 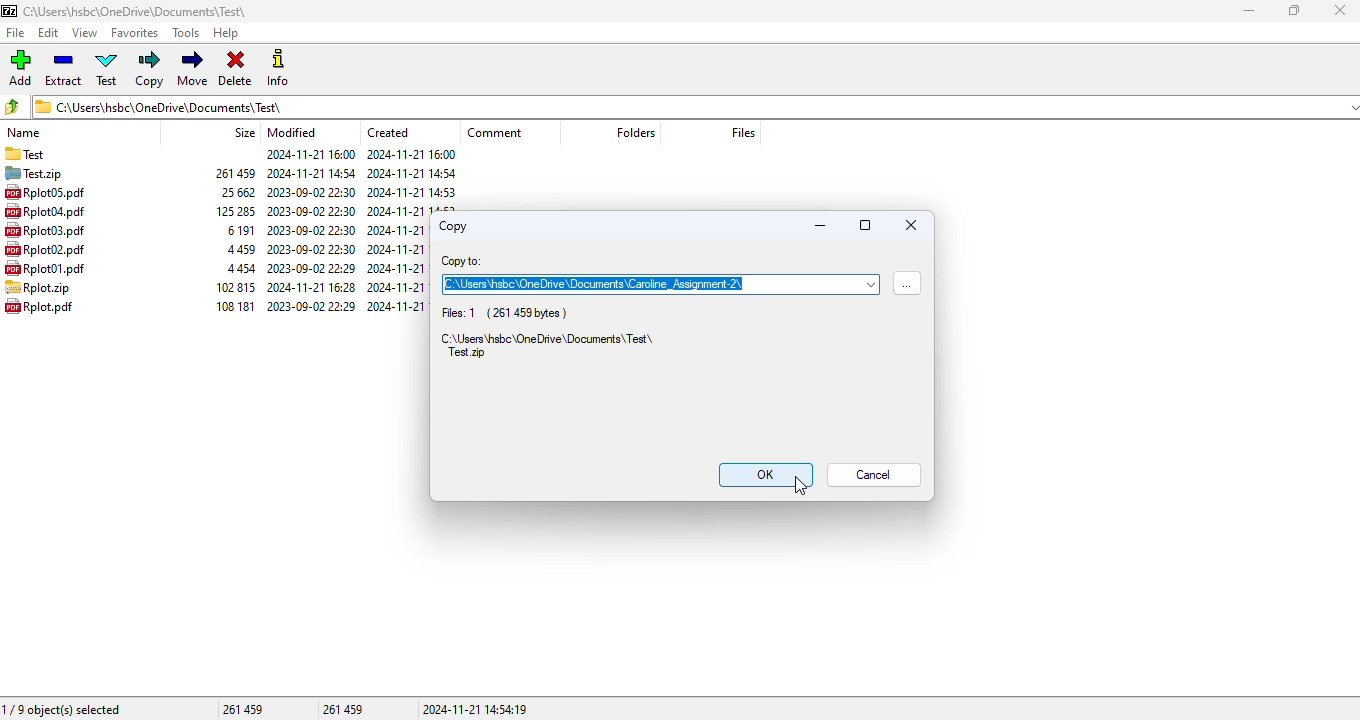 What do you see at coordinates (453, 227) in the screenshot?
I see `copy` at bounding box center [453, 227].